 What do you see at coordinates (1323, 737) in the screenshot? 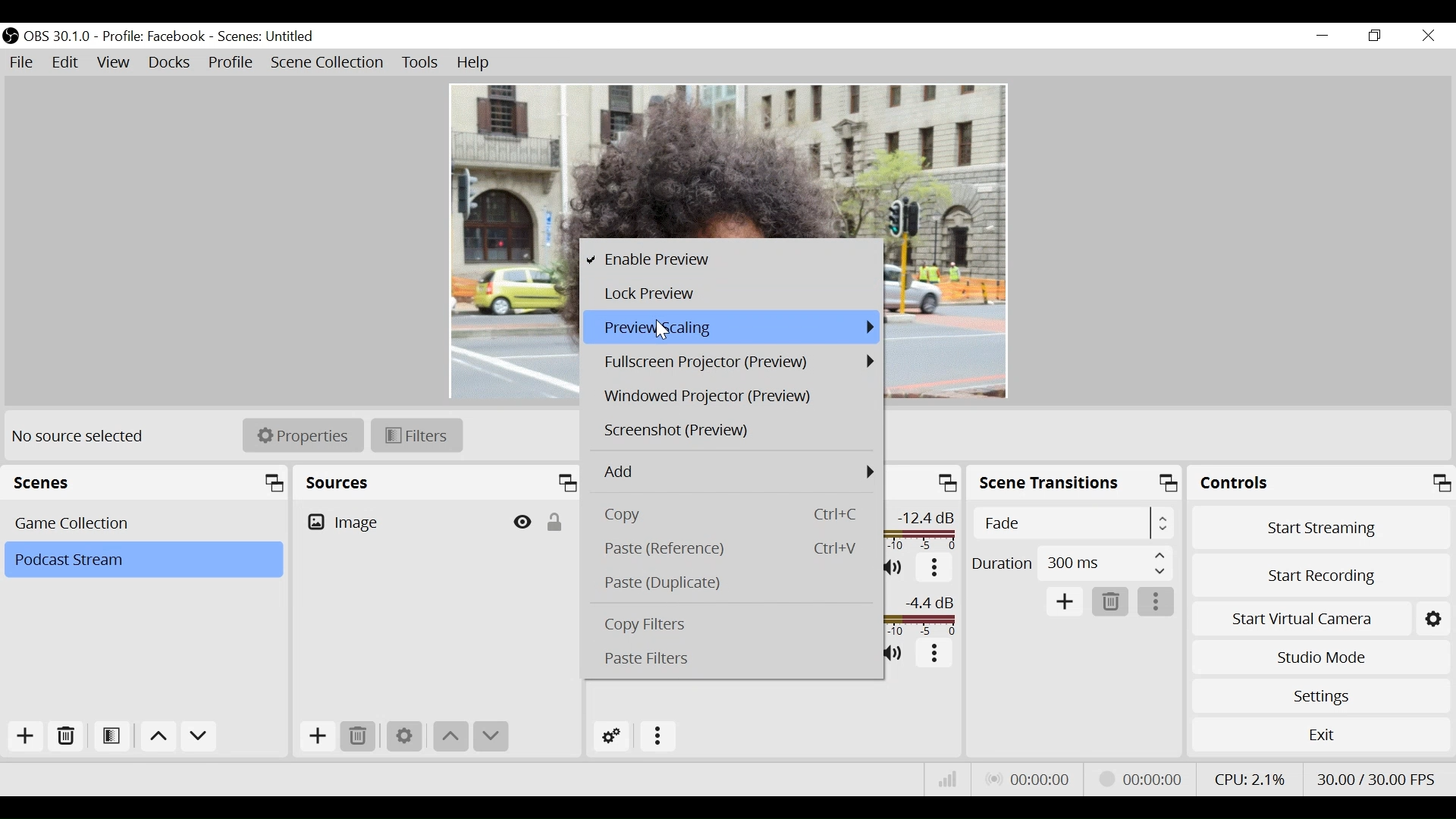
I see `Exit` at bounding box center [1323, 737].